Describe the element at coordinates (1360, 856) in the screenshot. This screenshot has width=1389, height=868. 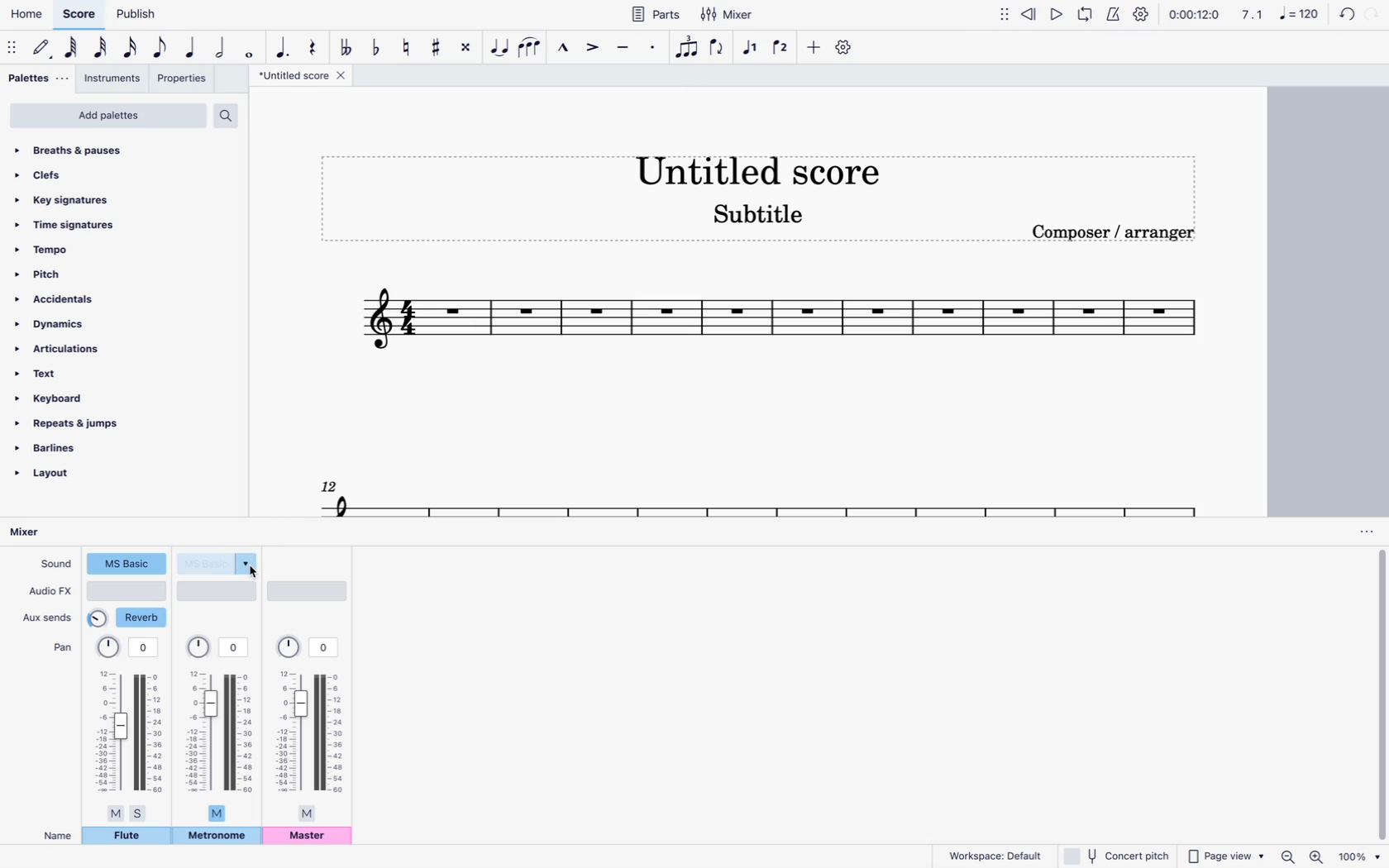
I see `zoom percentage` at that location.